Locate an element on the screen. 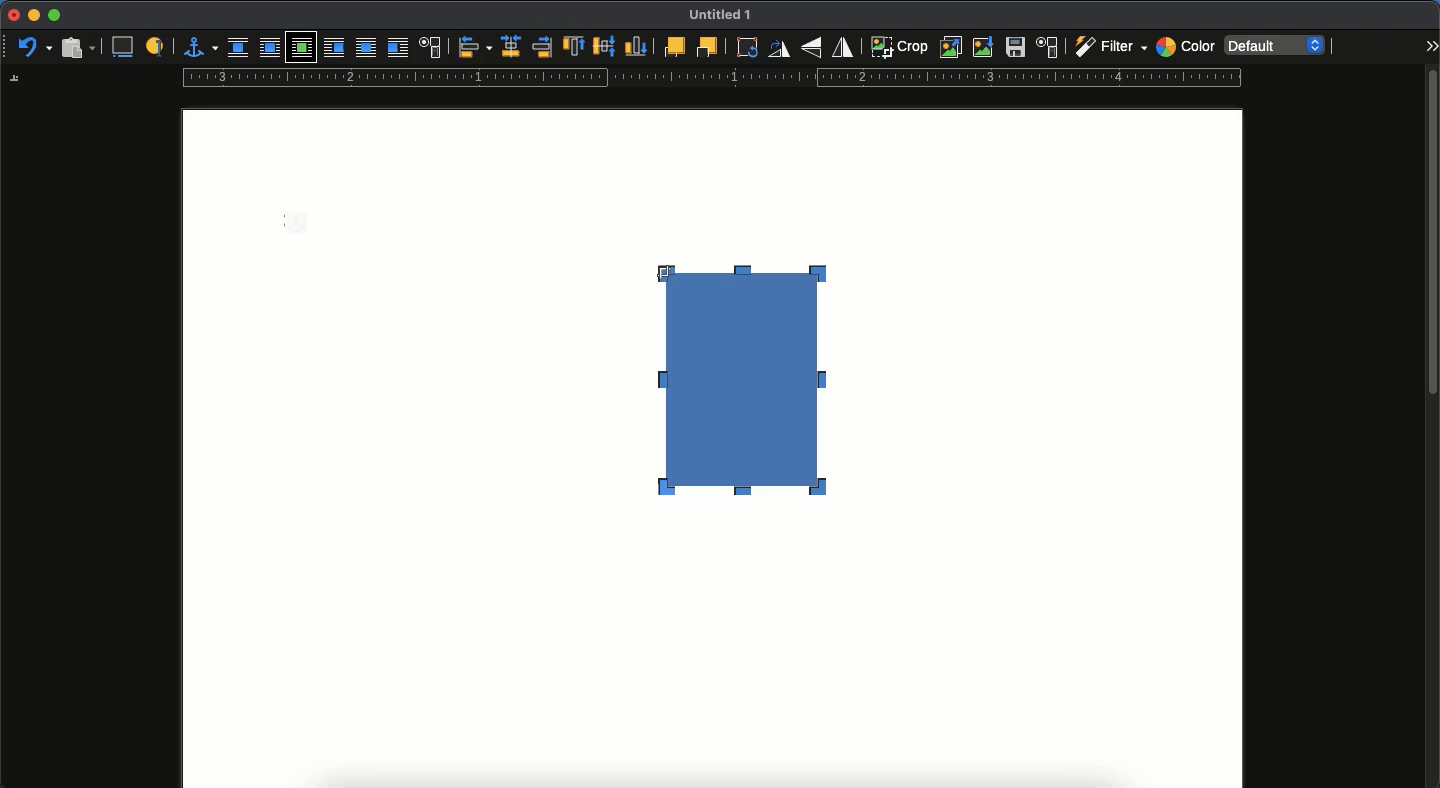 This screenshot has width=1440, height=788. centered is located at coordinates (512, 47).